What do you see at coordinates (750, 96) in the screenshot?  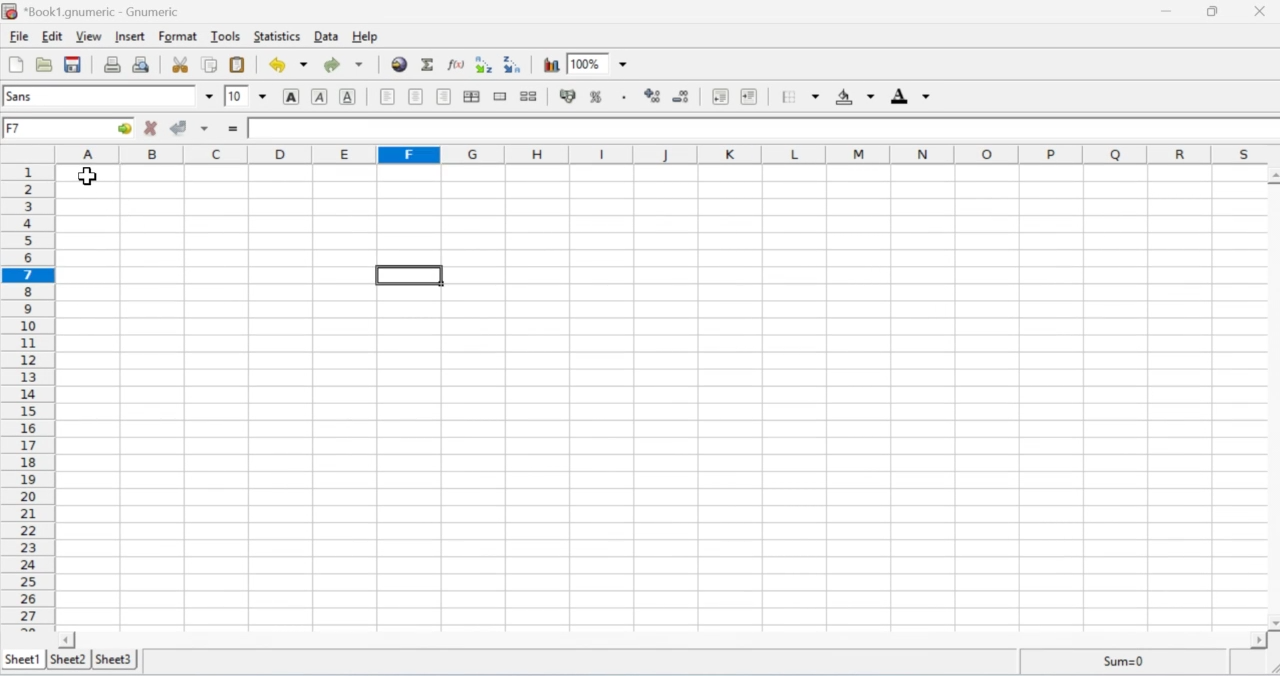 I see `Increase the indent, and align the contents to the left` at bounding box center [750, 96].